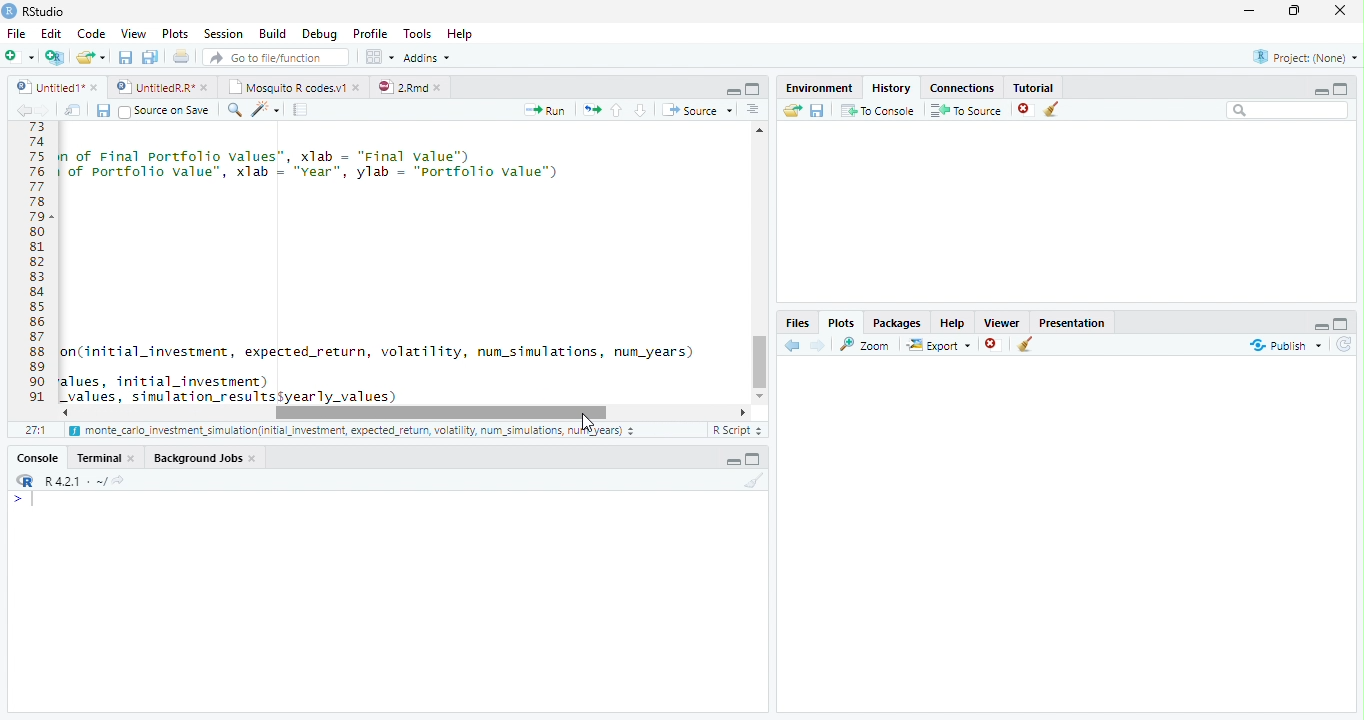 The height and width of the screenshot is (720, 1364). I want to click on Build, so click(273, 34).